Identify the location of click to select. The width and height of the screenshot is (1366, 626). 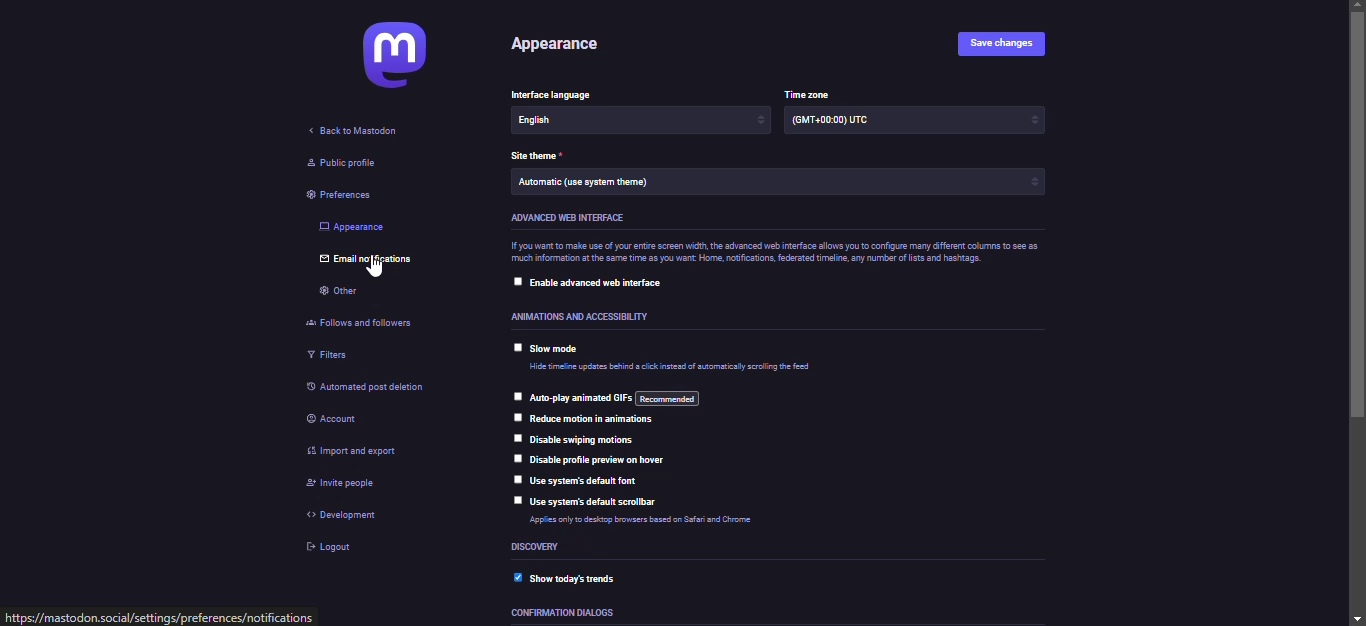
(514, 347).